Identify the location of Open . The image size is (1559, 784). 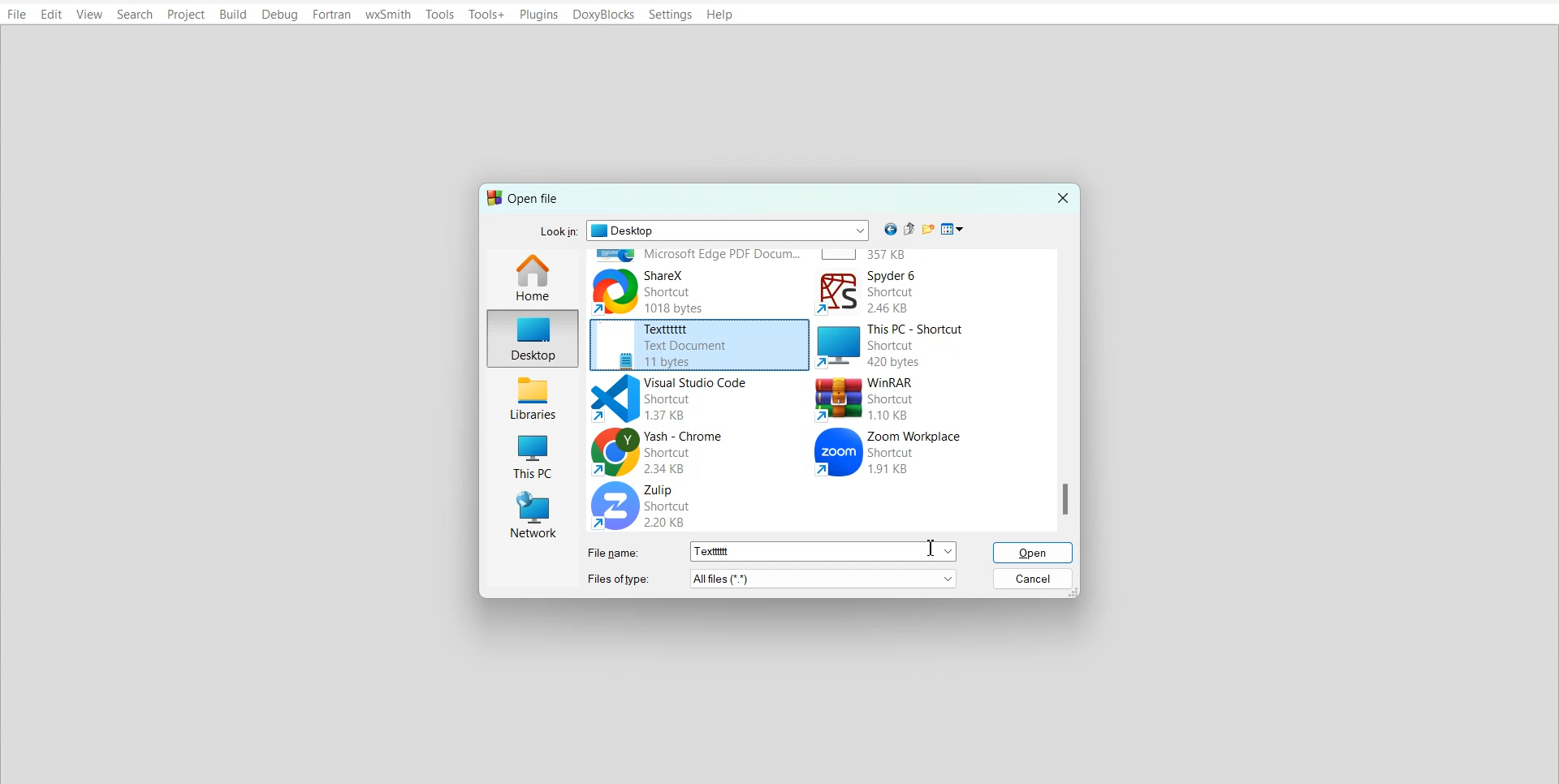
(1034, 553).